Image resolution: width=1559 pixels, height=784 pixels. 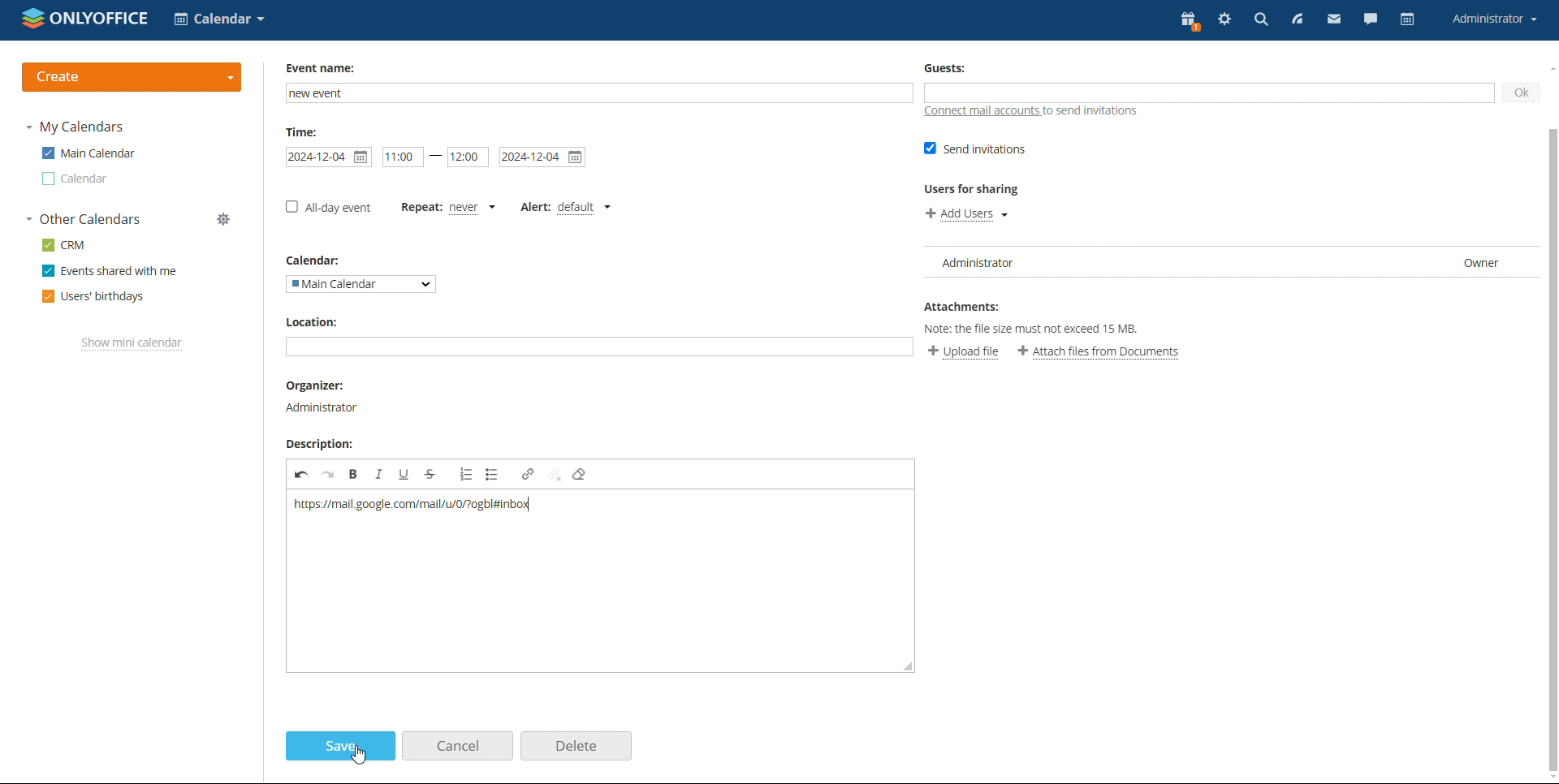 I want to click on organizer, so click(x=323, y=398).